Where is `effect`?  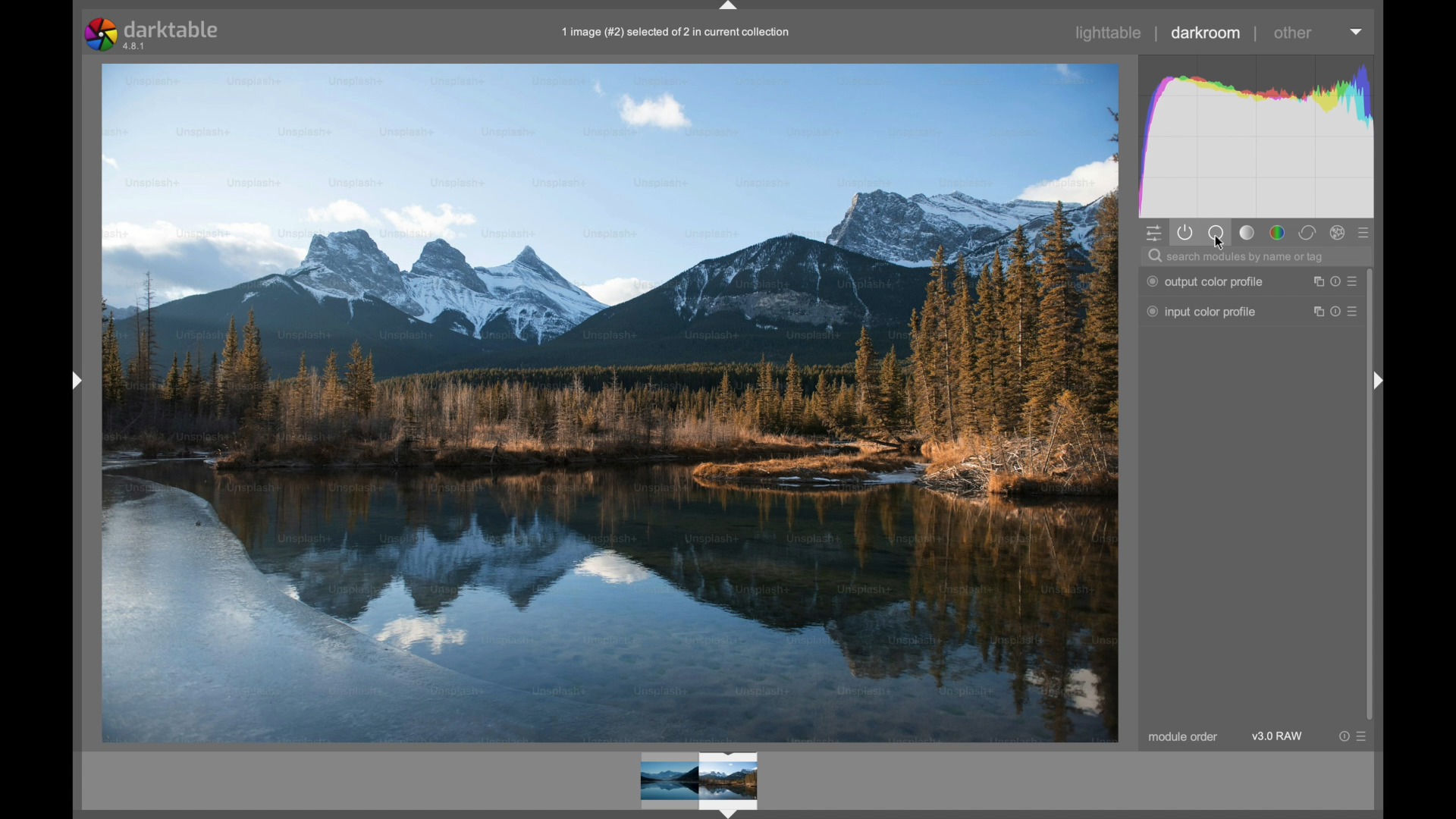
effect is located at coordinates (1338, 233).